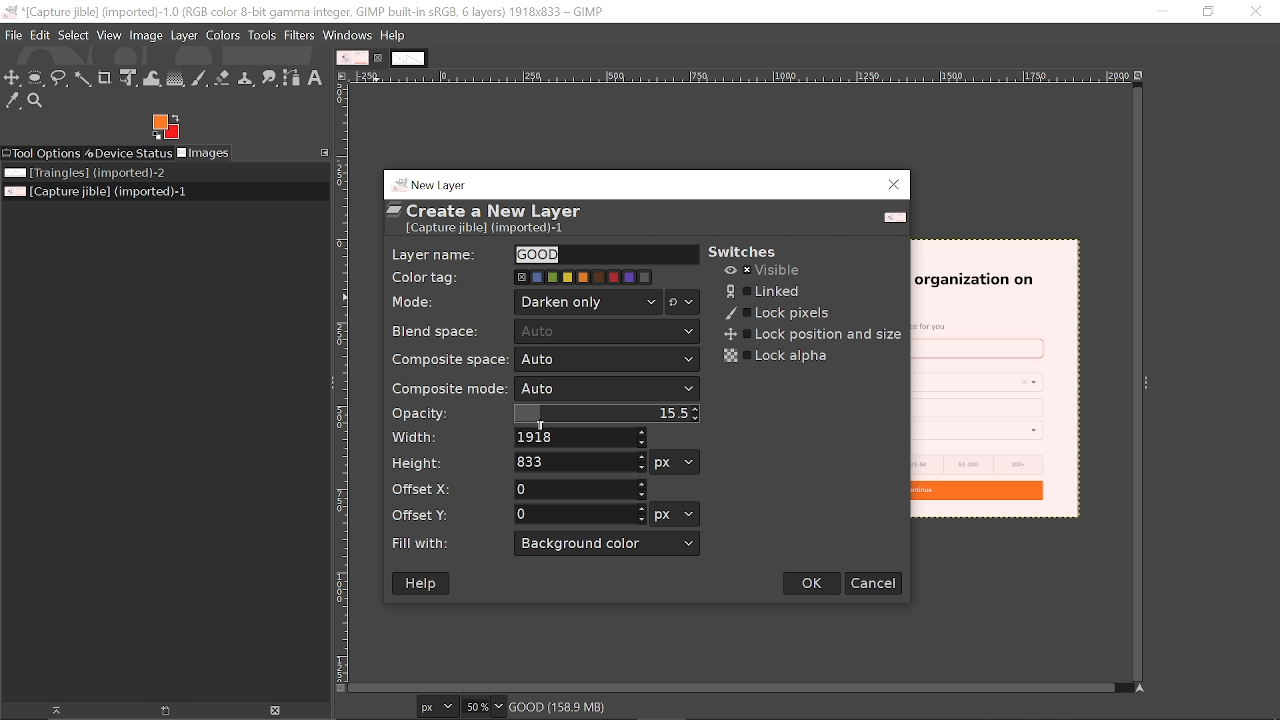  What do you see at coordinates (105, 77) in the screenshot?
I see `Crop text` at bounding box center [105, 77].